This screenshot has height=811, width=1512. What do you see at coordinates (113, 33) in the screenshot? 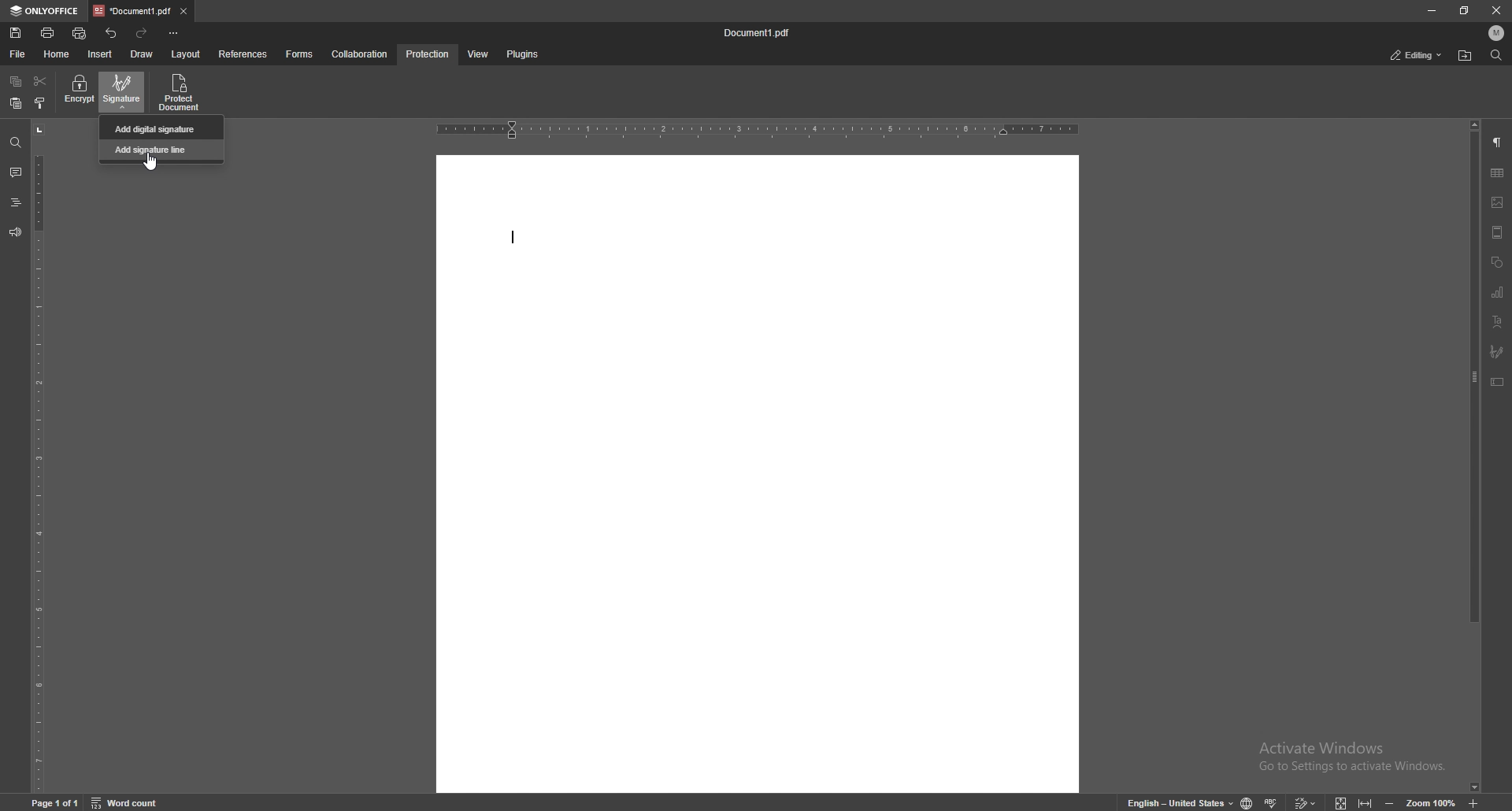
I see `undo` at bounding box center [113, 33].